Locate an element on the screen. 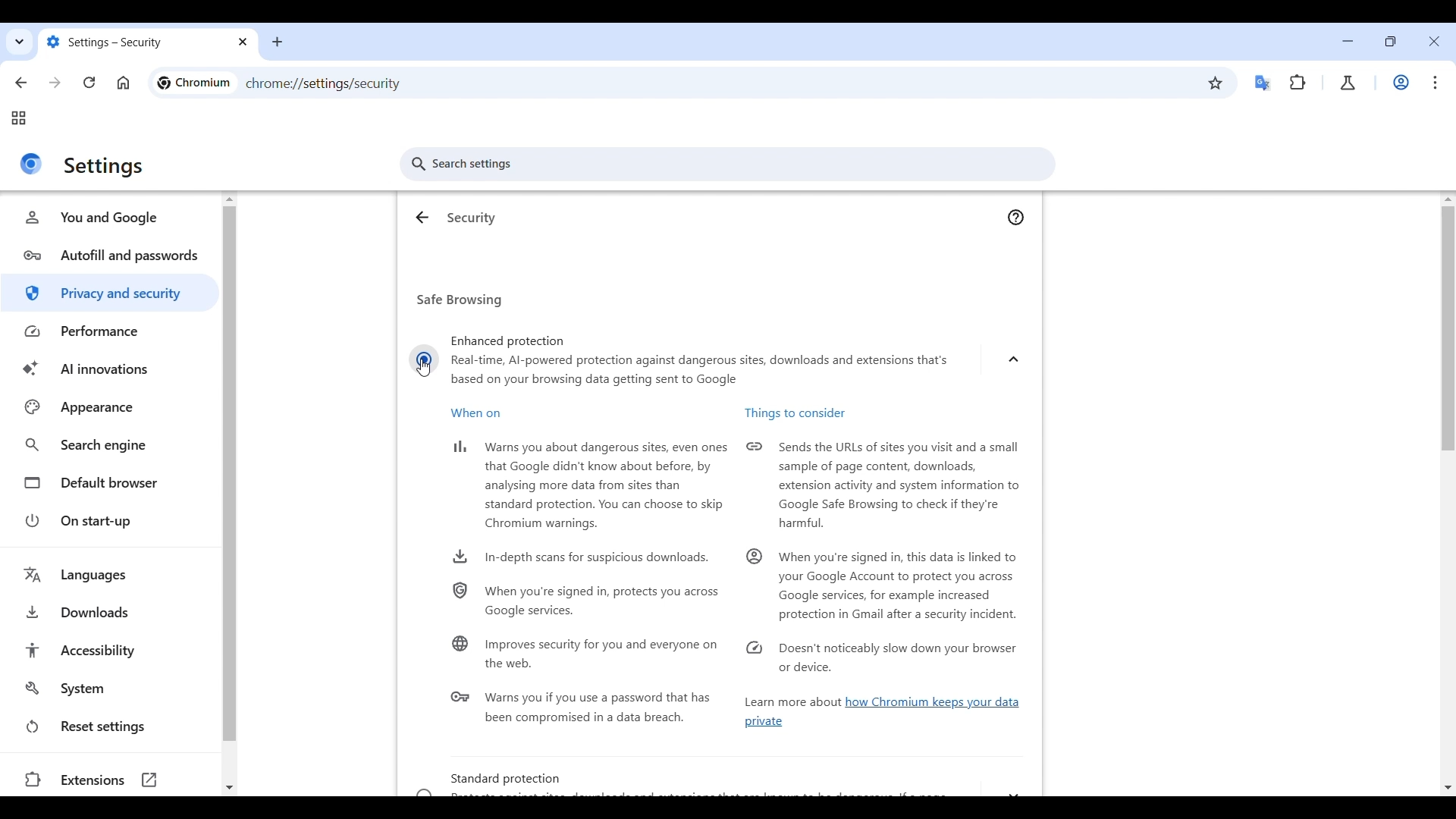  Go to Google Chrome help is located at coordinates (1016, 218).